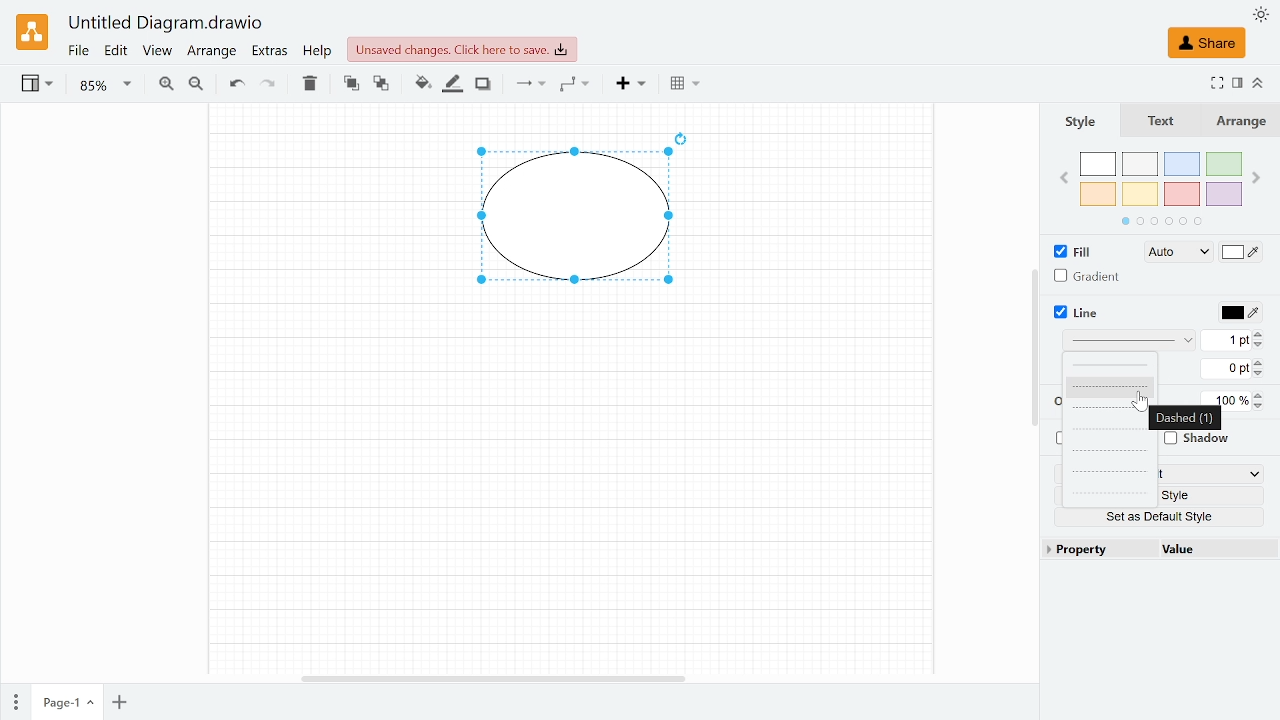 This screenshot has height=720, width=1280. Describe the element at coordinates (350, 86) in the screenshot. I see `To front` at that location.